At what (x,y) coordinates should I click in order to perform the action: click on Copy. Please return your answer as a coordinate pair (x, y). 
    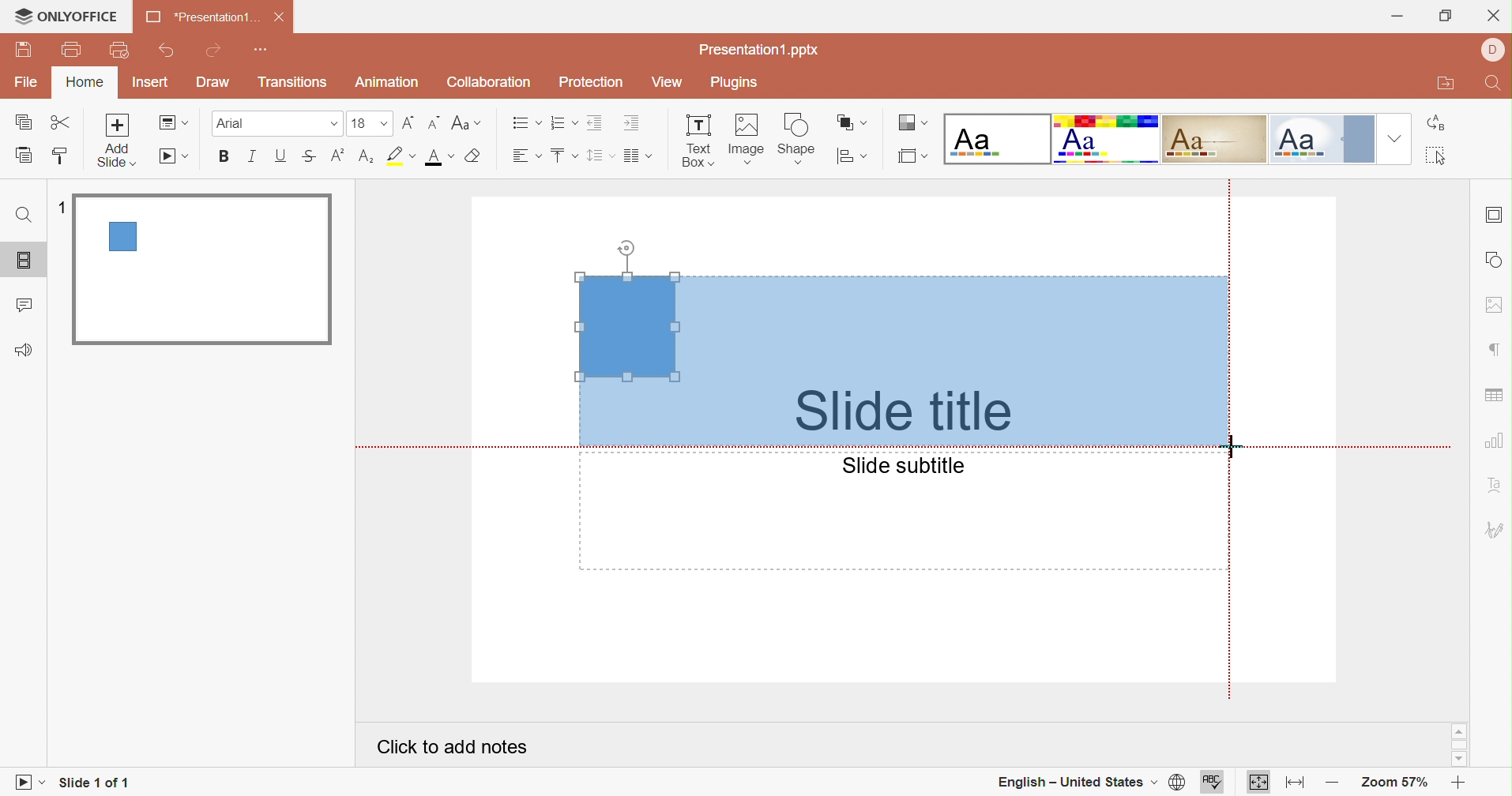
    Looking at the image, I should click on (23, 123).